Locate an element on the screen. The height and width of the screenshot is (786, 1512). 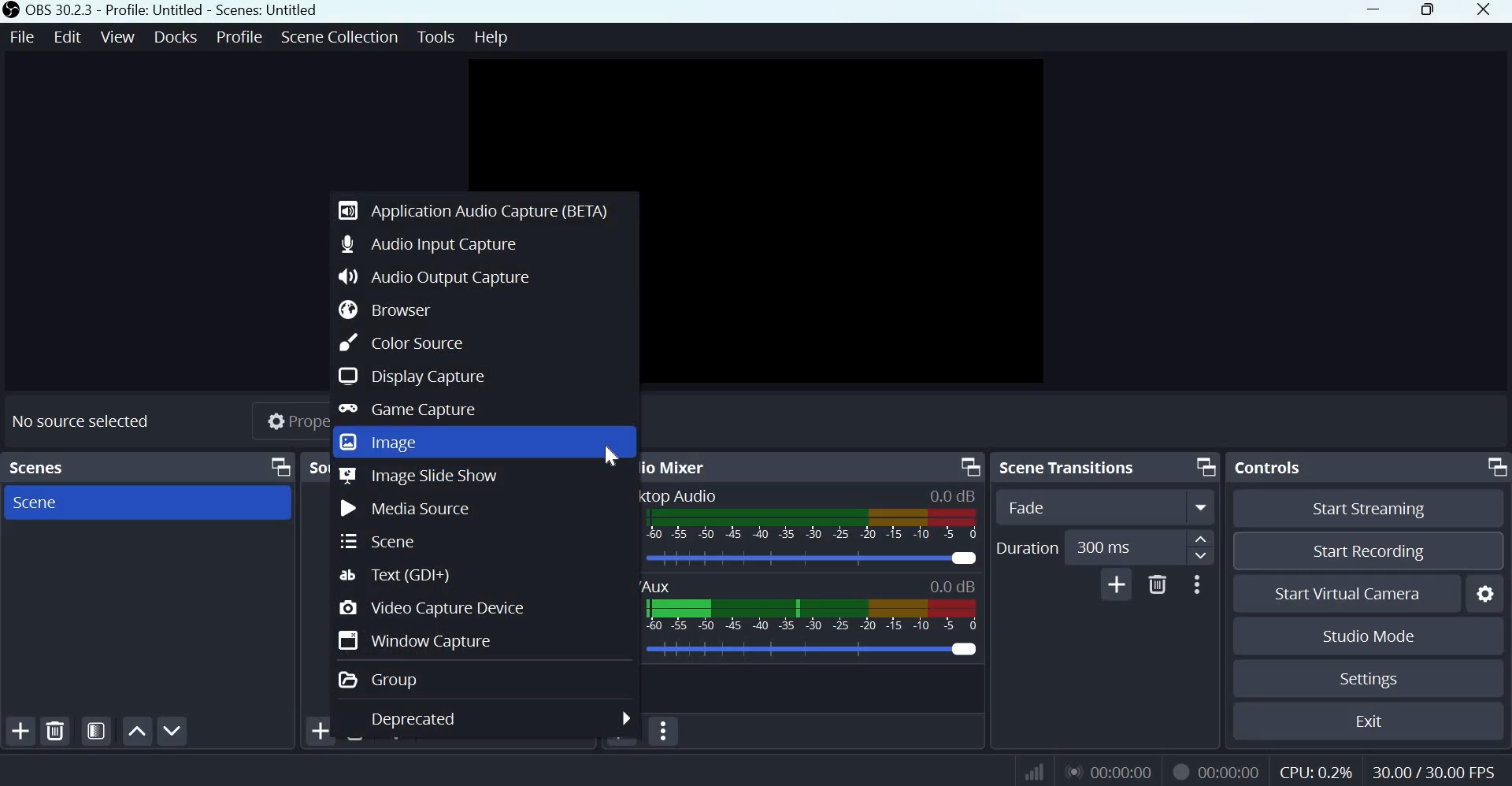
Color source is located at coordinates (399, 343).